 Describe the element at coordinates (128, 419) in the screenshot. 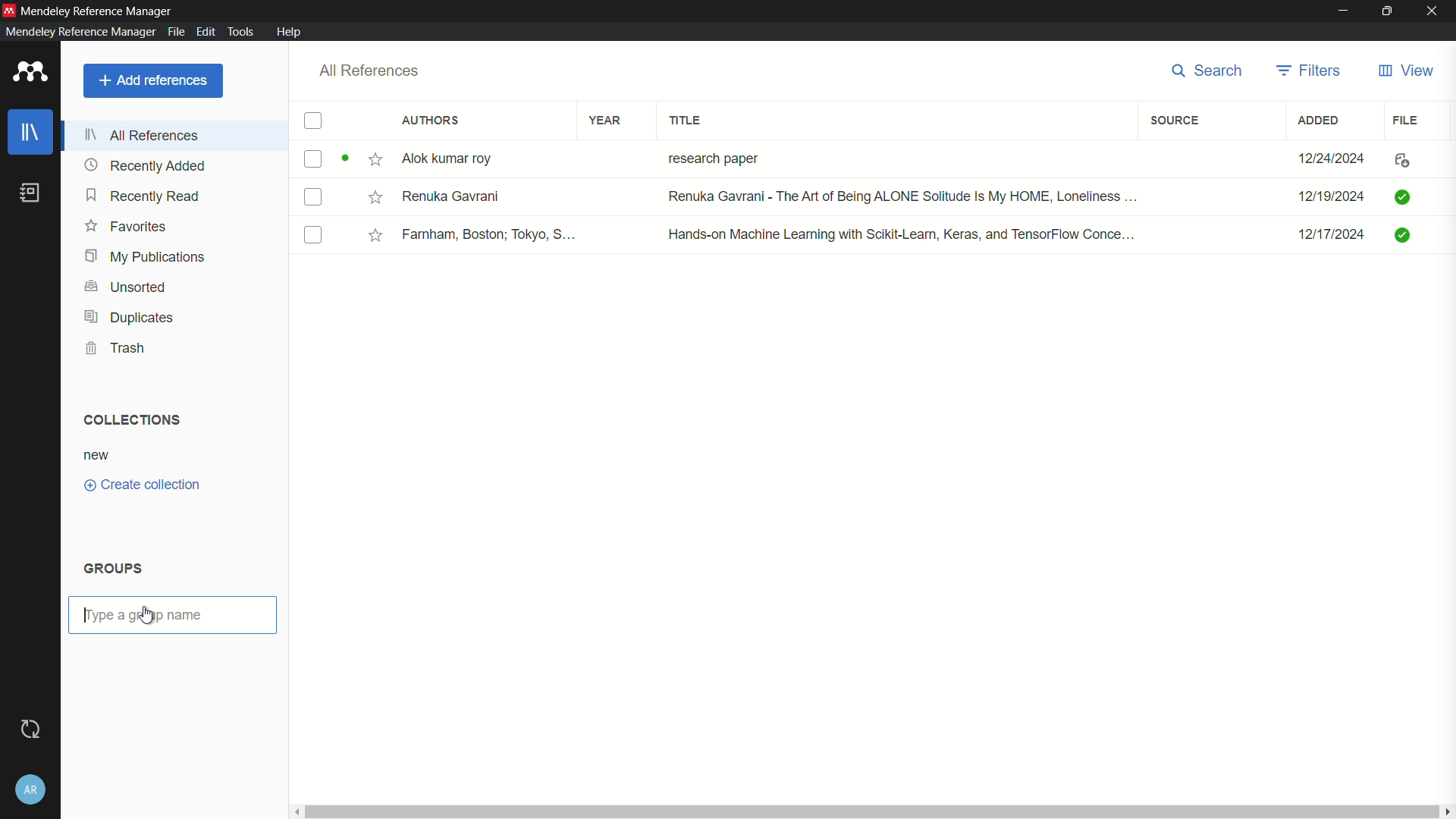

I see `collections` at that location.